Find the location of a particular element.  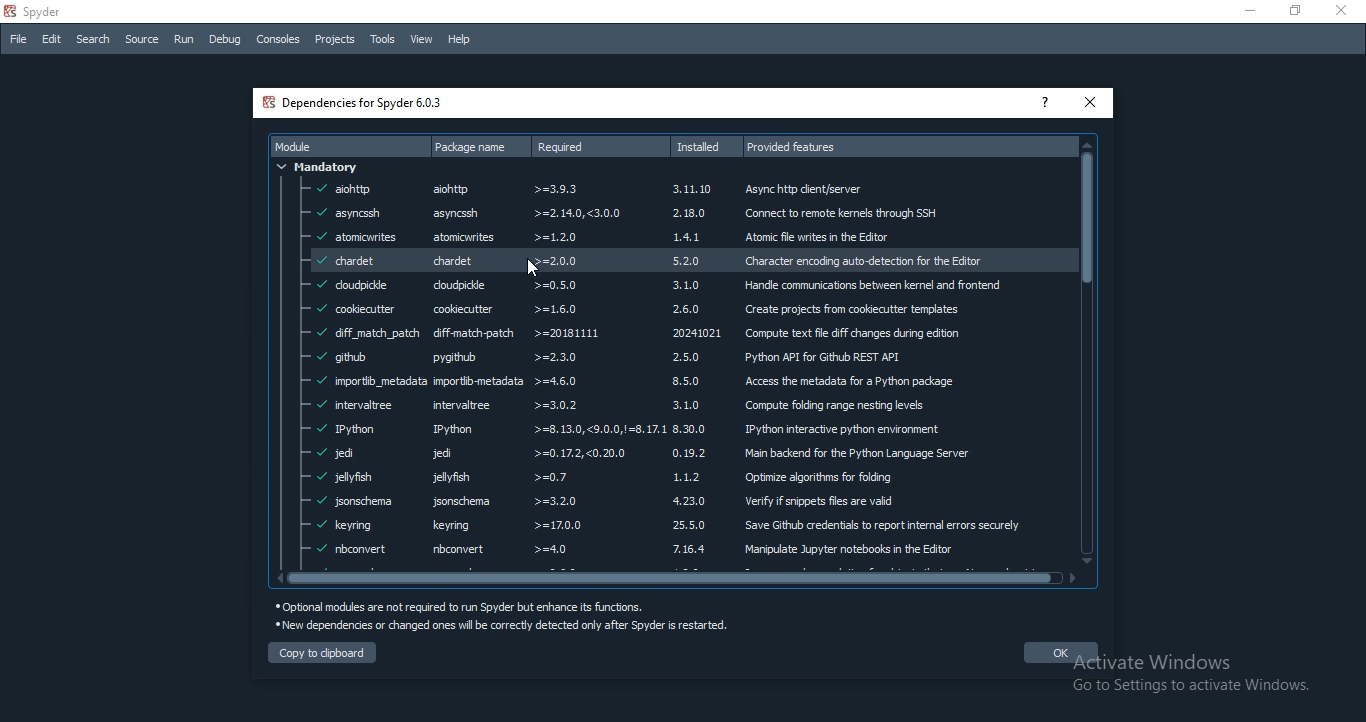

Run is located at coordinates (184, 39).